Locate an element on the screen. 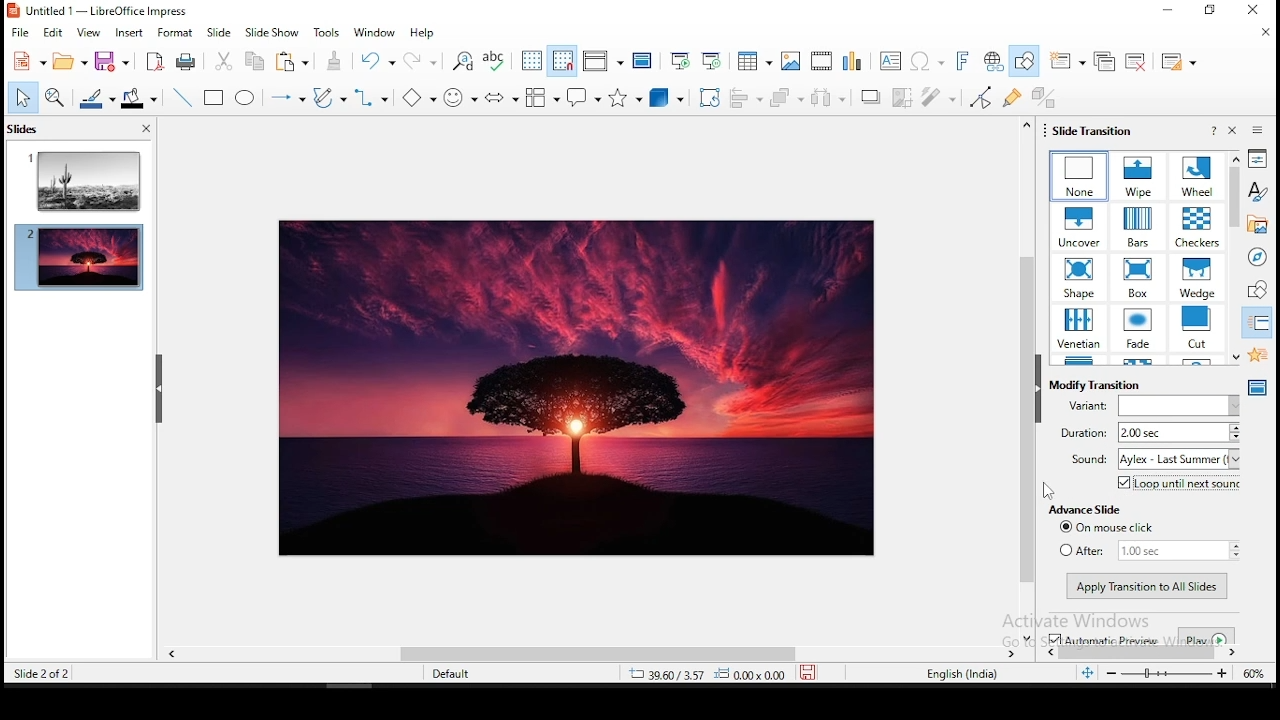  transition effects is located at coordinates (1195, 276).